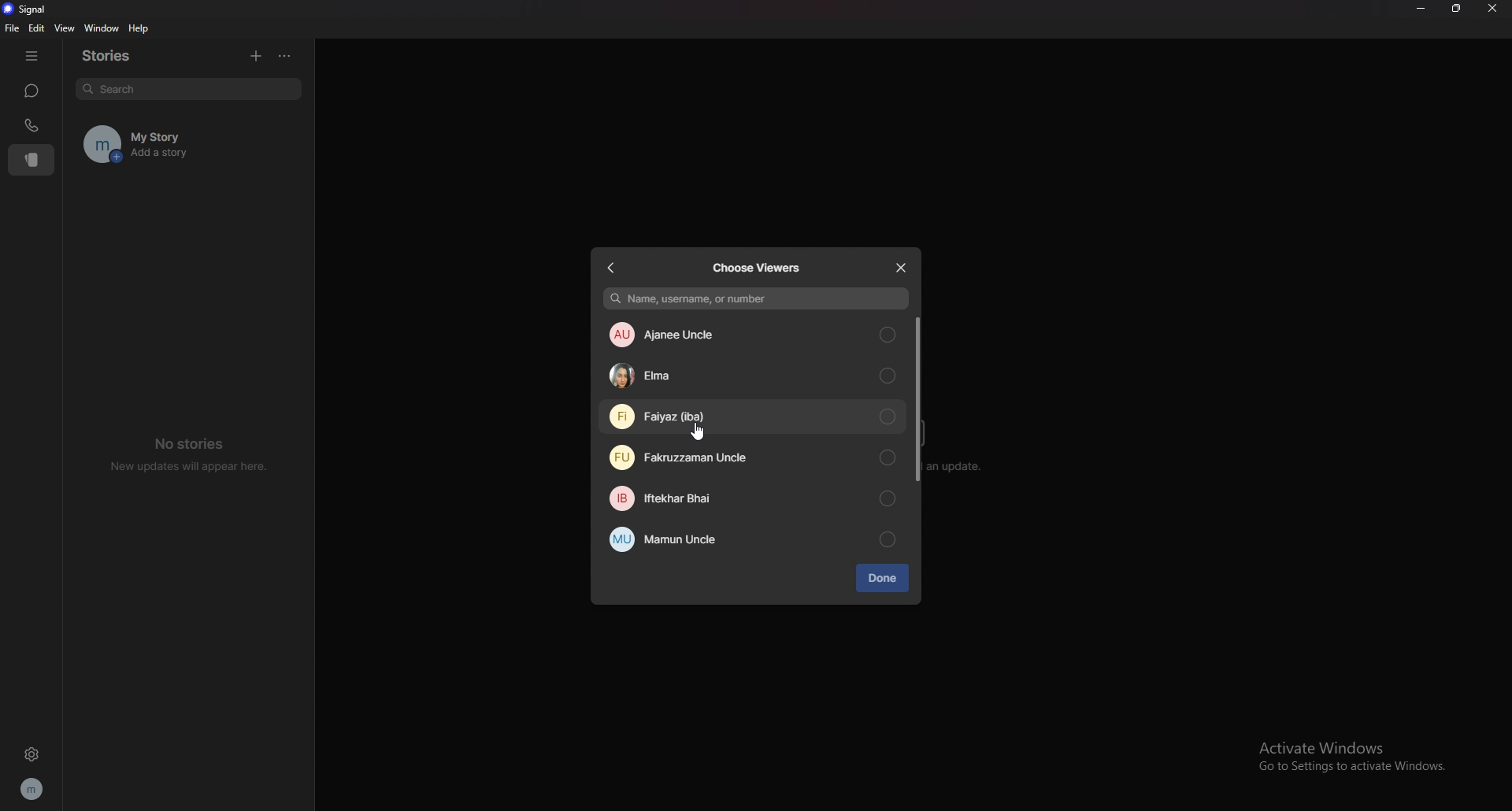 This screenshot has height=811, width=1512. What do you see at coordinates (31, 56) in the screenshot?
I see `hide tab` at bounding box center [31, 56].